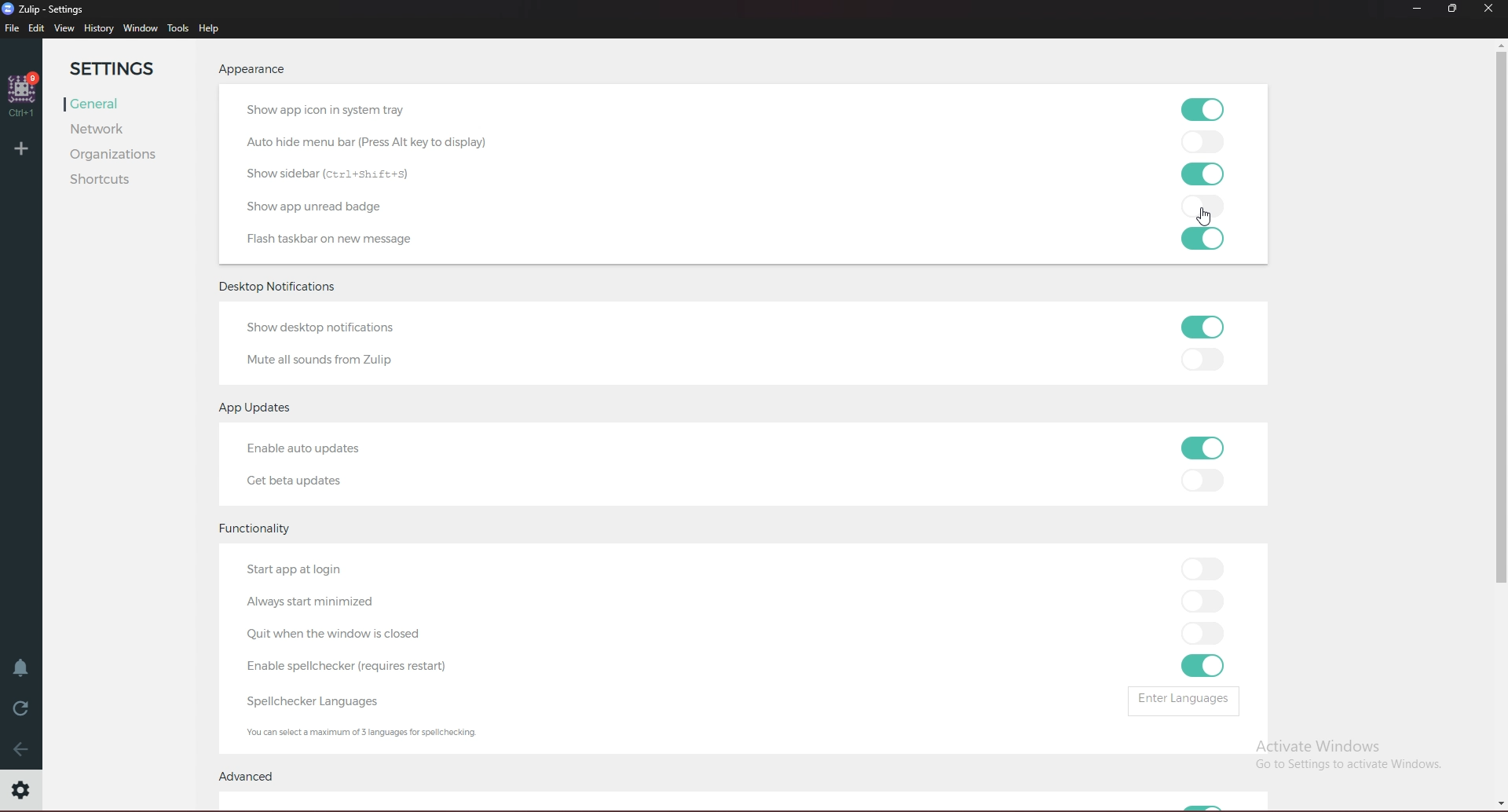  I want to click on toggle, so click(1206, 109).